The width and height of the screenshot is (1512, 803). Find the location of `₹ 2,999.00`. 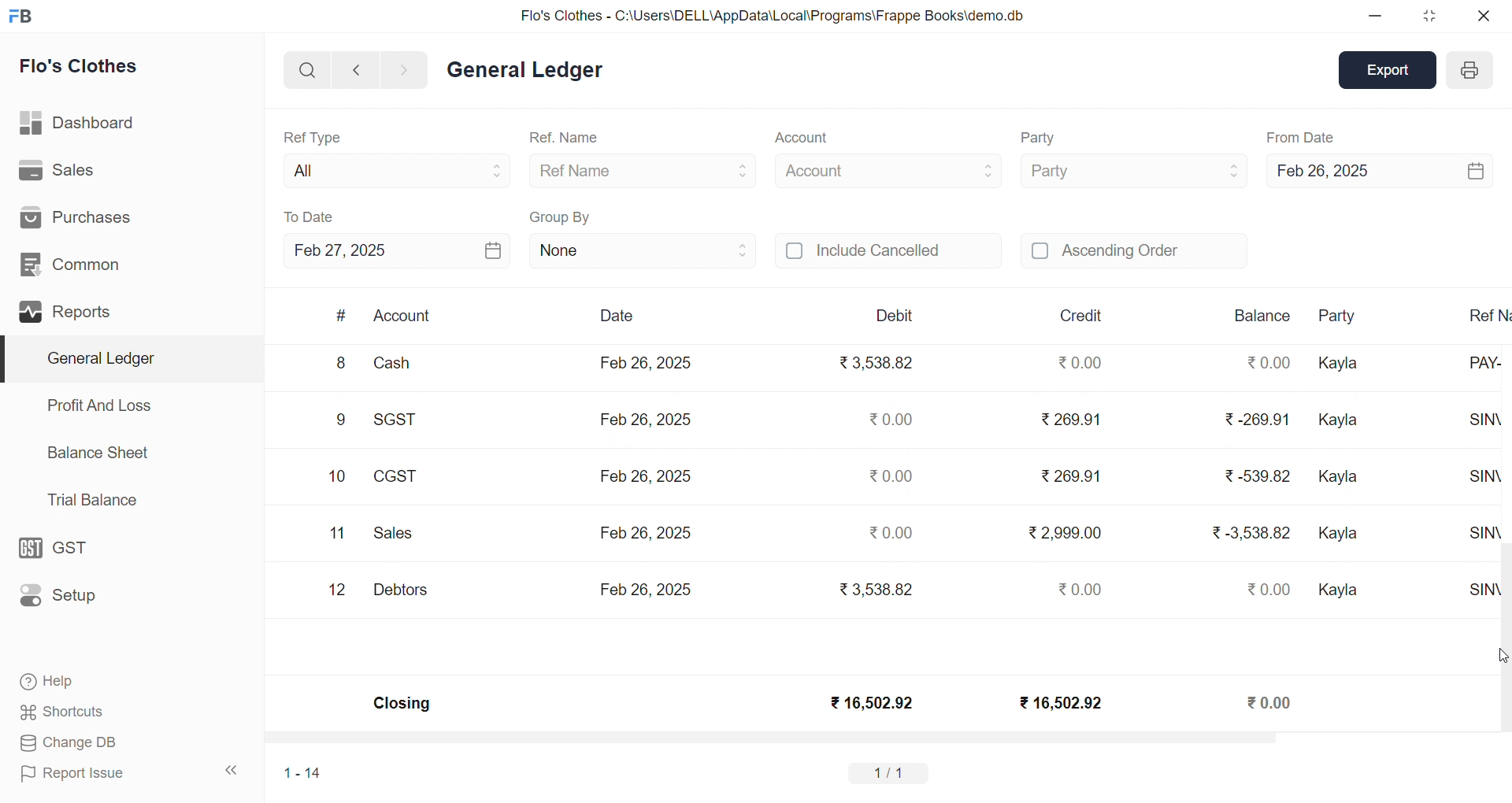

₹ 2,999.00 is located at coordinates (1068, 532).